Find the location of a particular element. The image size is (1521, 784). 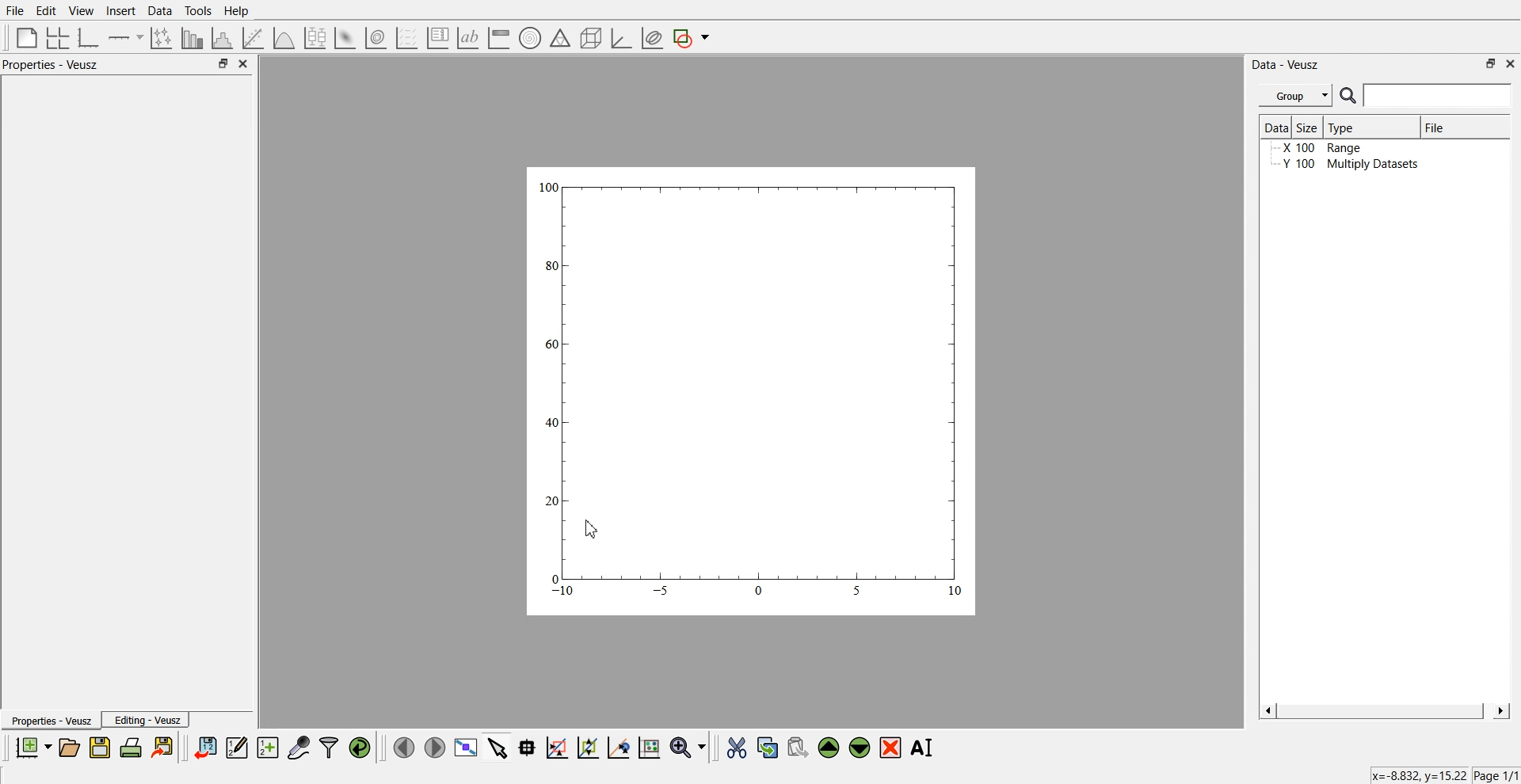

plot bar chart is located at coordinates (192, 39).